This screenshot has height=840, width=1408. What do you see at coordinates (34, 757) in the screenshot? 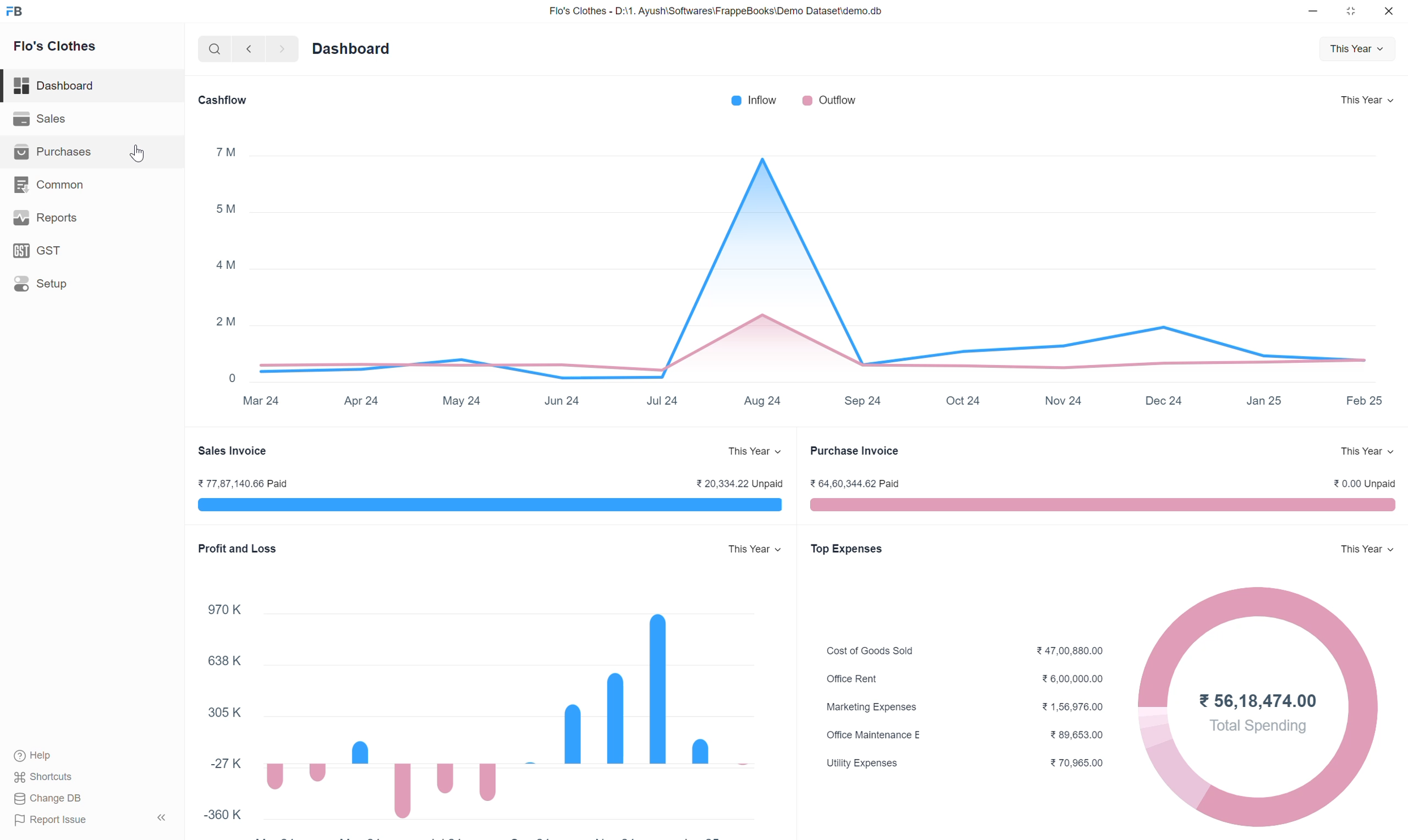
I see `Help` at bounding box center [34, 757].